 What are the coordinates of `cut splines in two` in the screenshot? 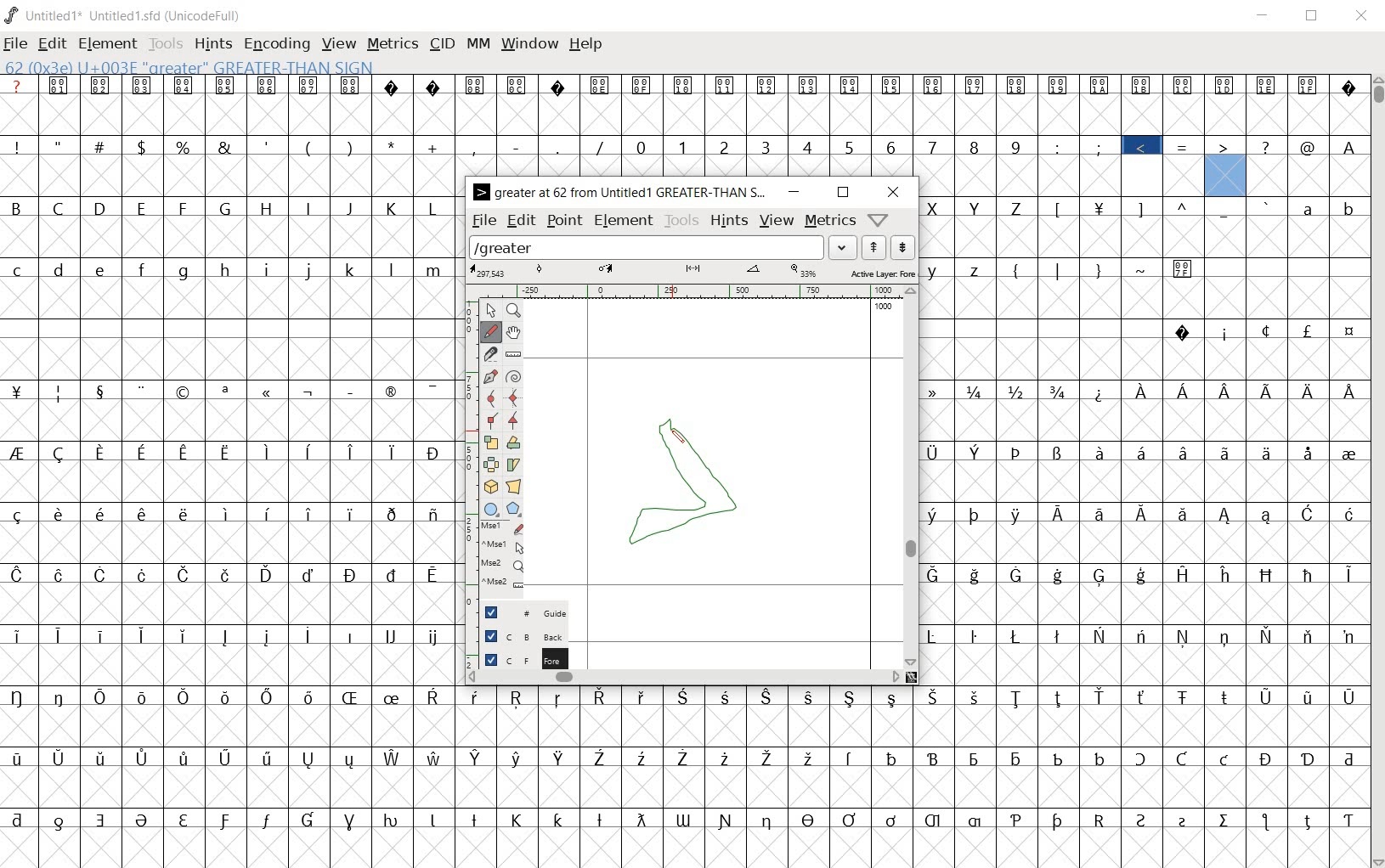 It's located at (489, 353).